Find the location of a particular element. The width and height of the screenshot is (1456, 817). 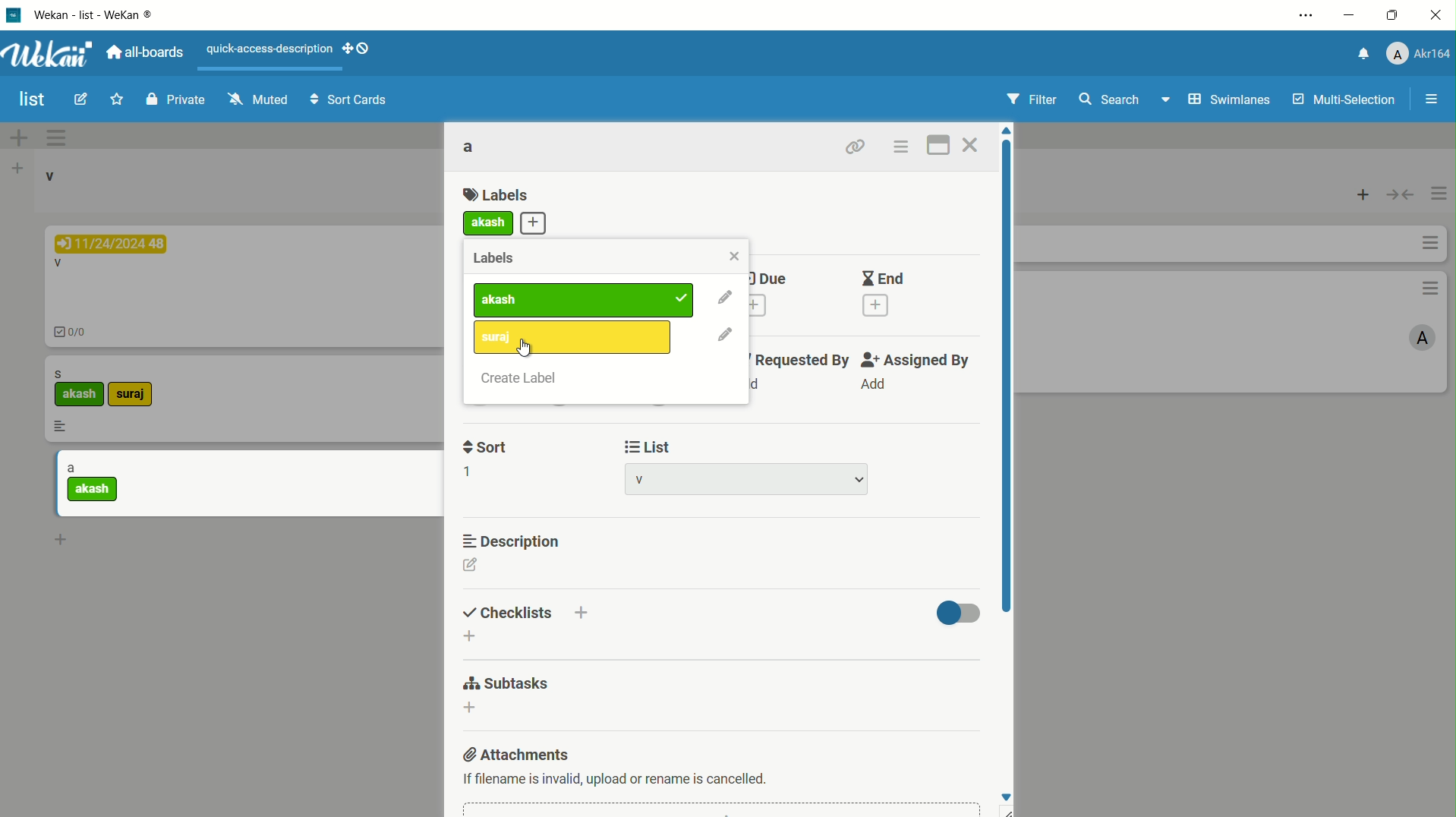

cursor is located at coordinates (525, 351).